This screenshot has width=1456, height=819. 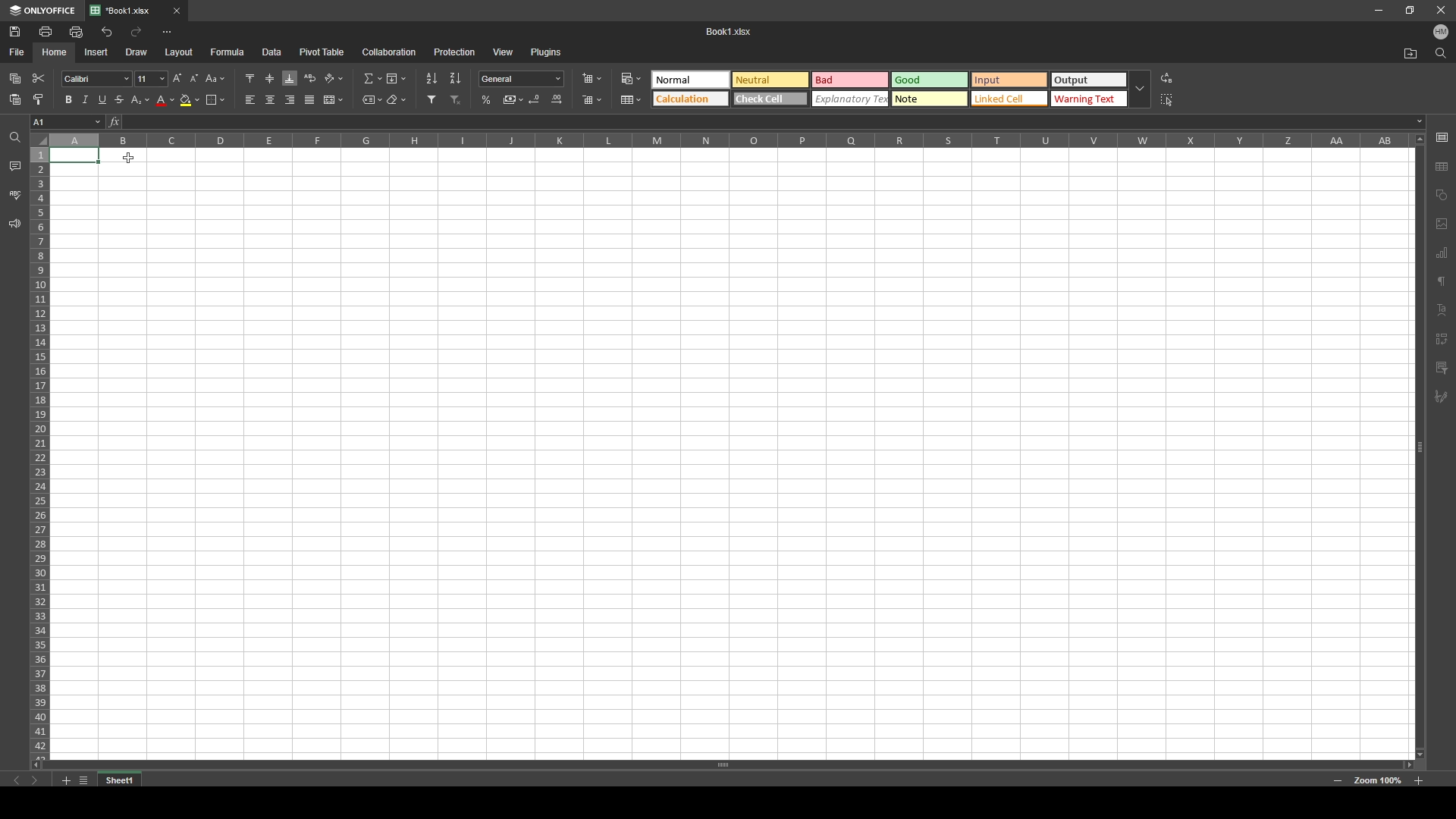 I want to click on rows, so click(x=39, y=451).